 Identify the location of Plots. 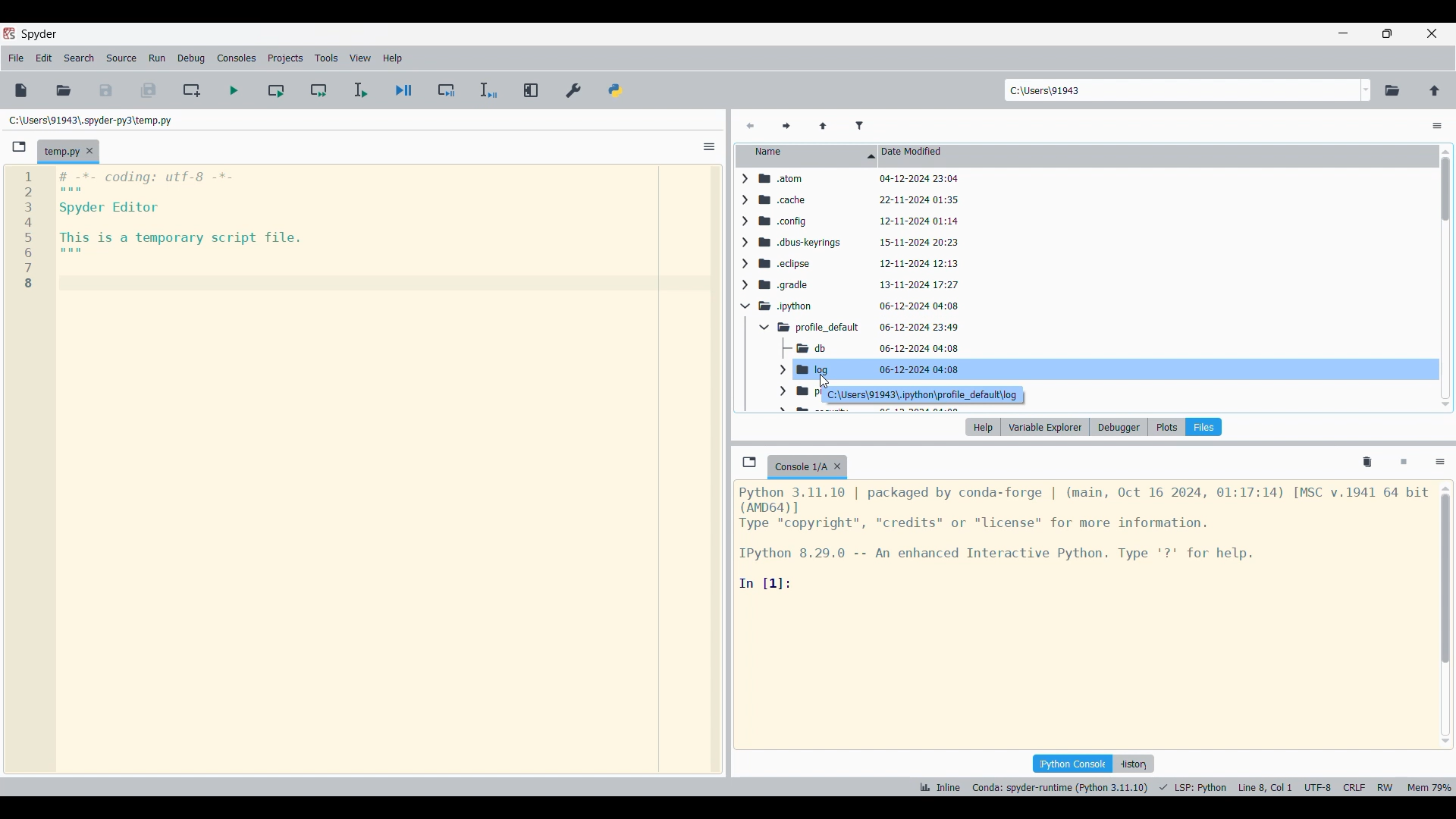
(1166, 427).